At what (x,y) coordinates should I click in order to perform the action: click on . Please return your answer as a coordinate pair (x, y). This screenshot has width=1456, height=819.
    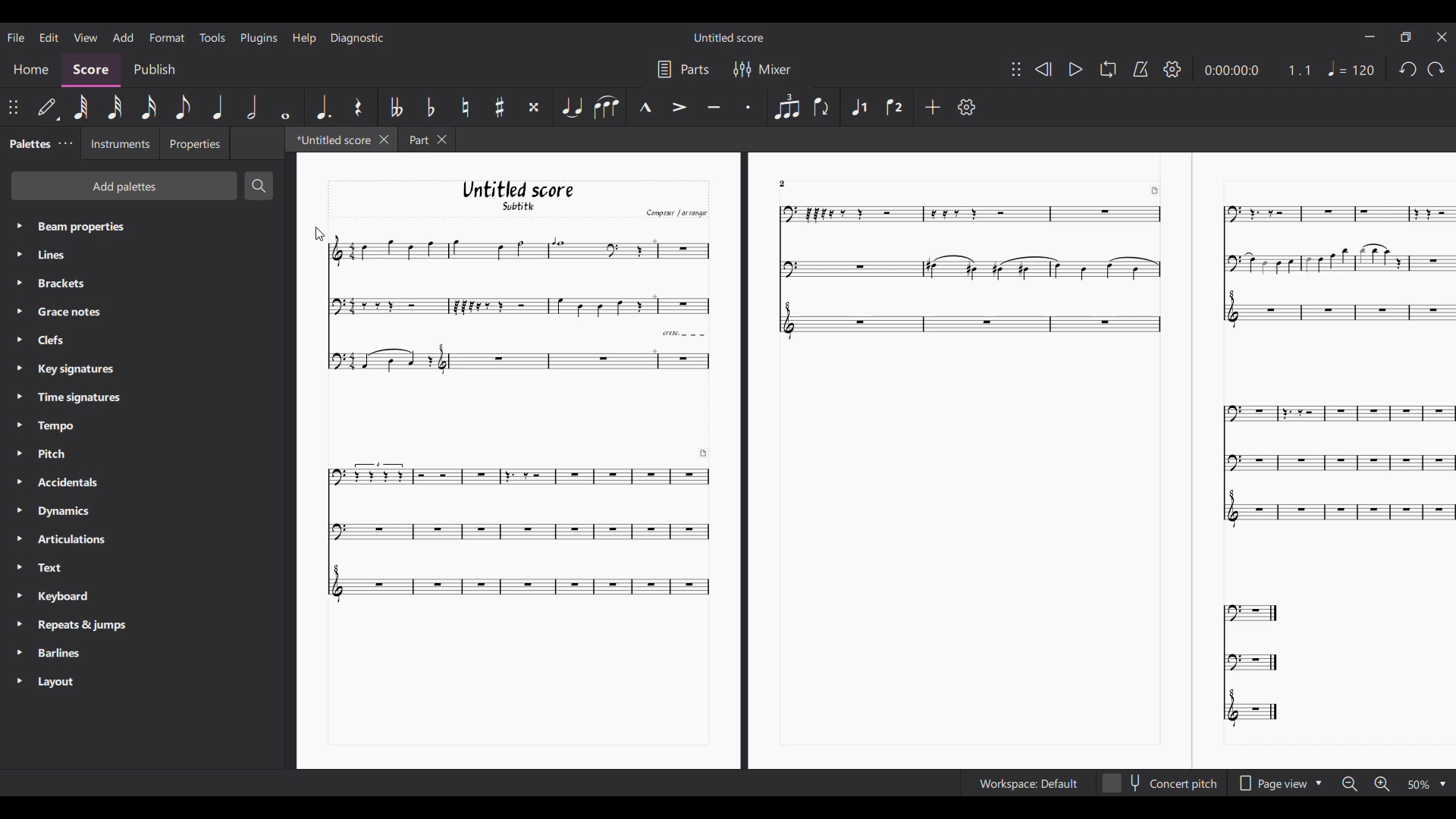
    Looking at the image, I should click on (1338, 307).